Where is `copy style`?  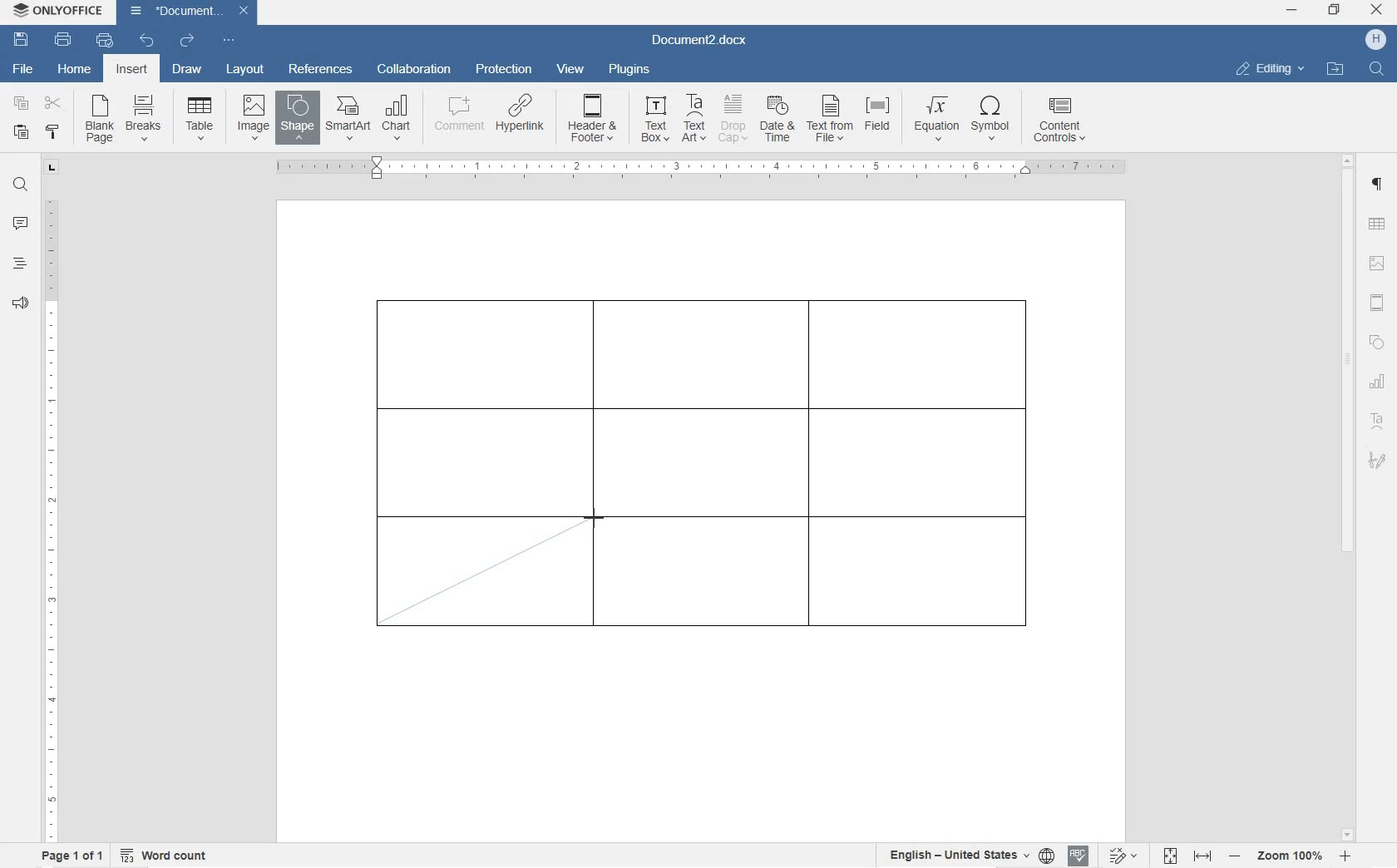 copy style is located at coordinates (53, 132).